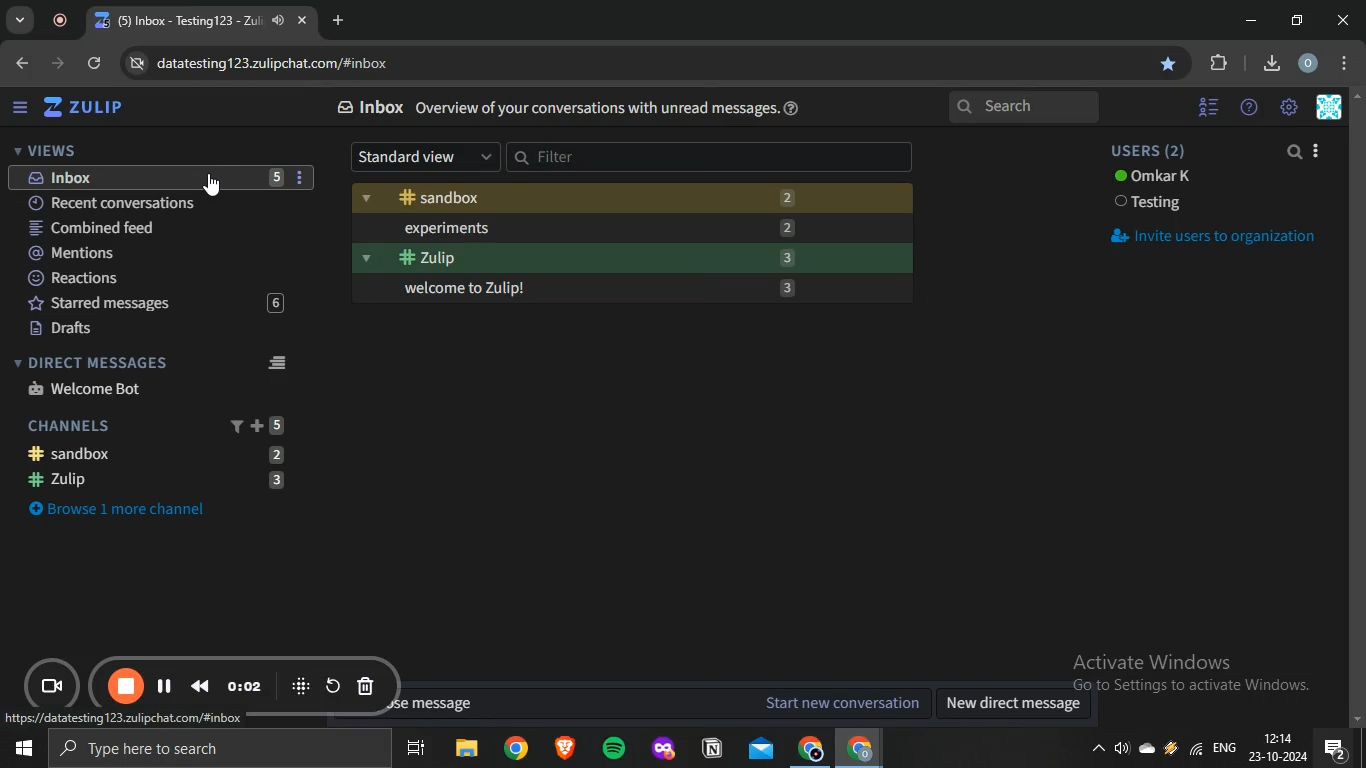 This screenshot has height=768, width=1366. What do you see at coordinates (515, 749) in the screenshot?
I see `google chrome` at bounding box center [515, 749].